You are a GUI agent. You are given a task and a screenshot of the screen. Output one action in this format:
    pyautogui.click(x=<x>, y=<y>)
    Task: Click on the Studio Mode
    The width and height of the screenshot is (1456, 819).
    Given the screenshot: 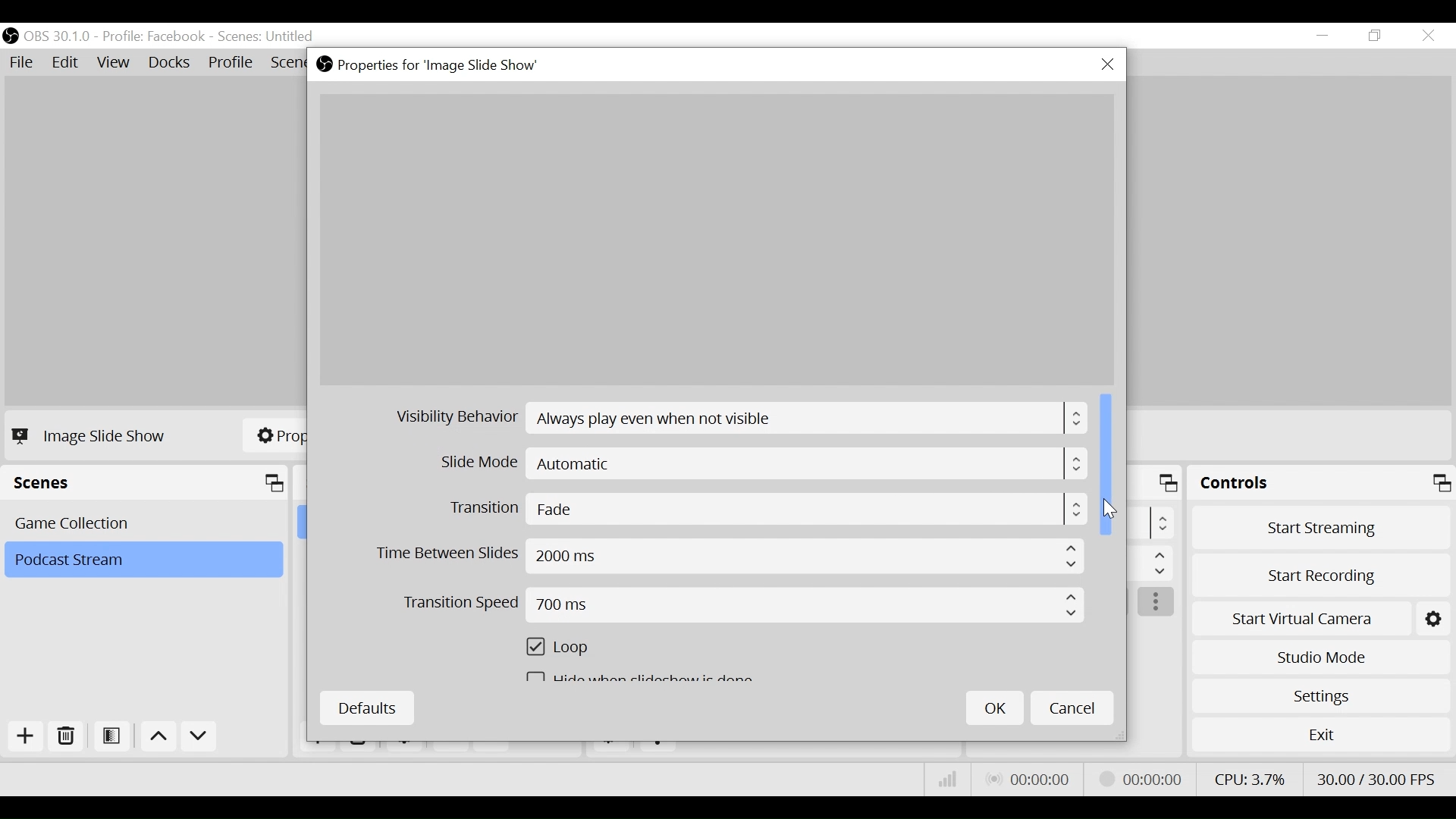 What is the action you would take?
    pyautogui.click(x=1321, y=655)
    